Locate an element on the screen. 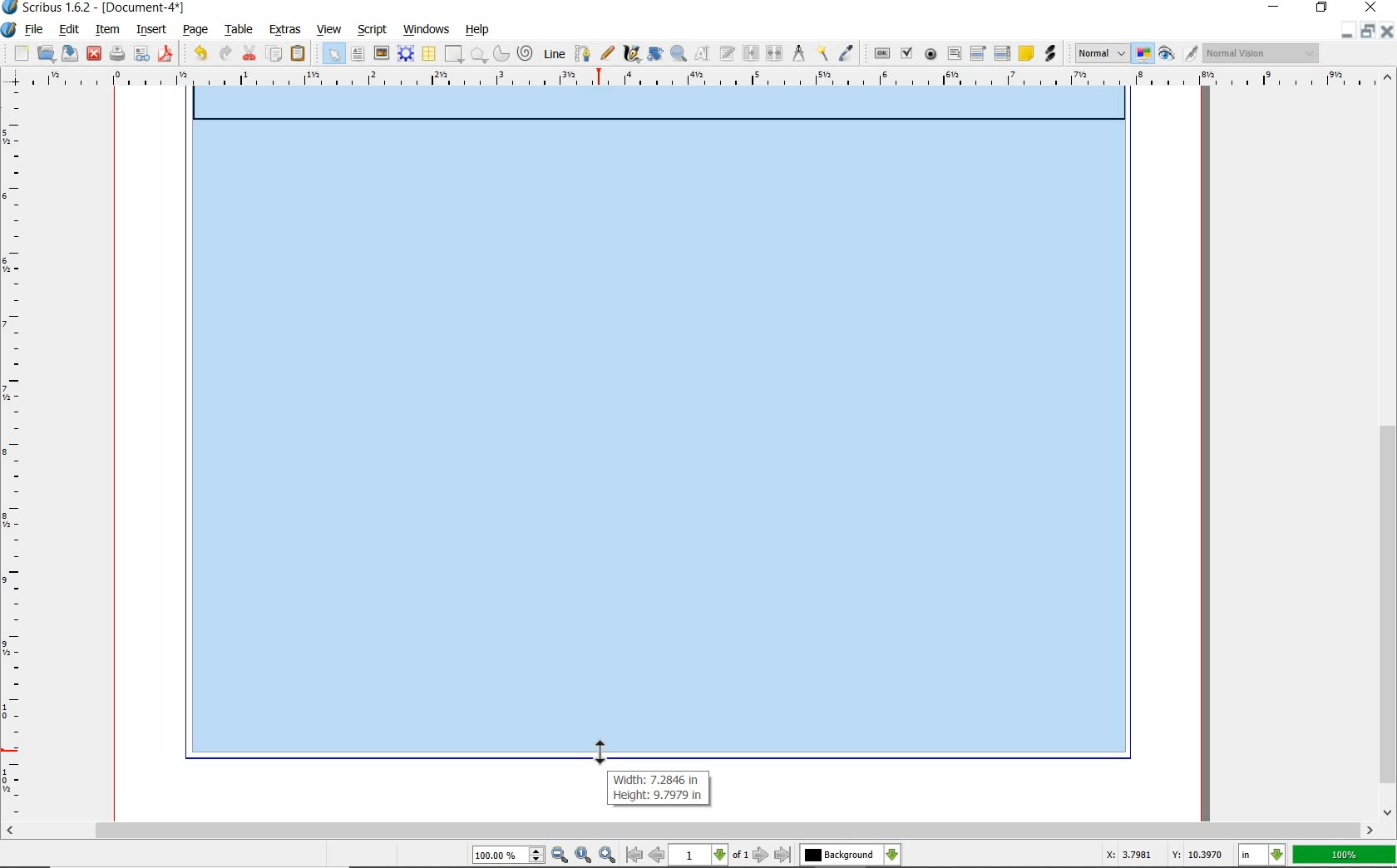 This screenshot has width=1397, height=868. print is located at coordinates (116, 54).